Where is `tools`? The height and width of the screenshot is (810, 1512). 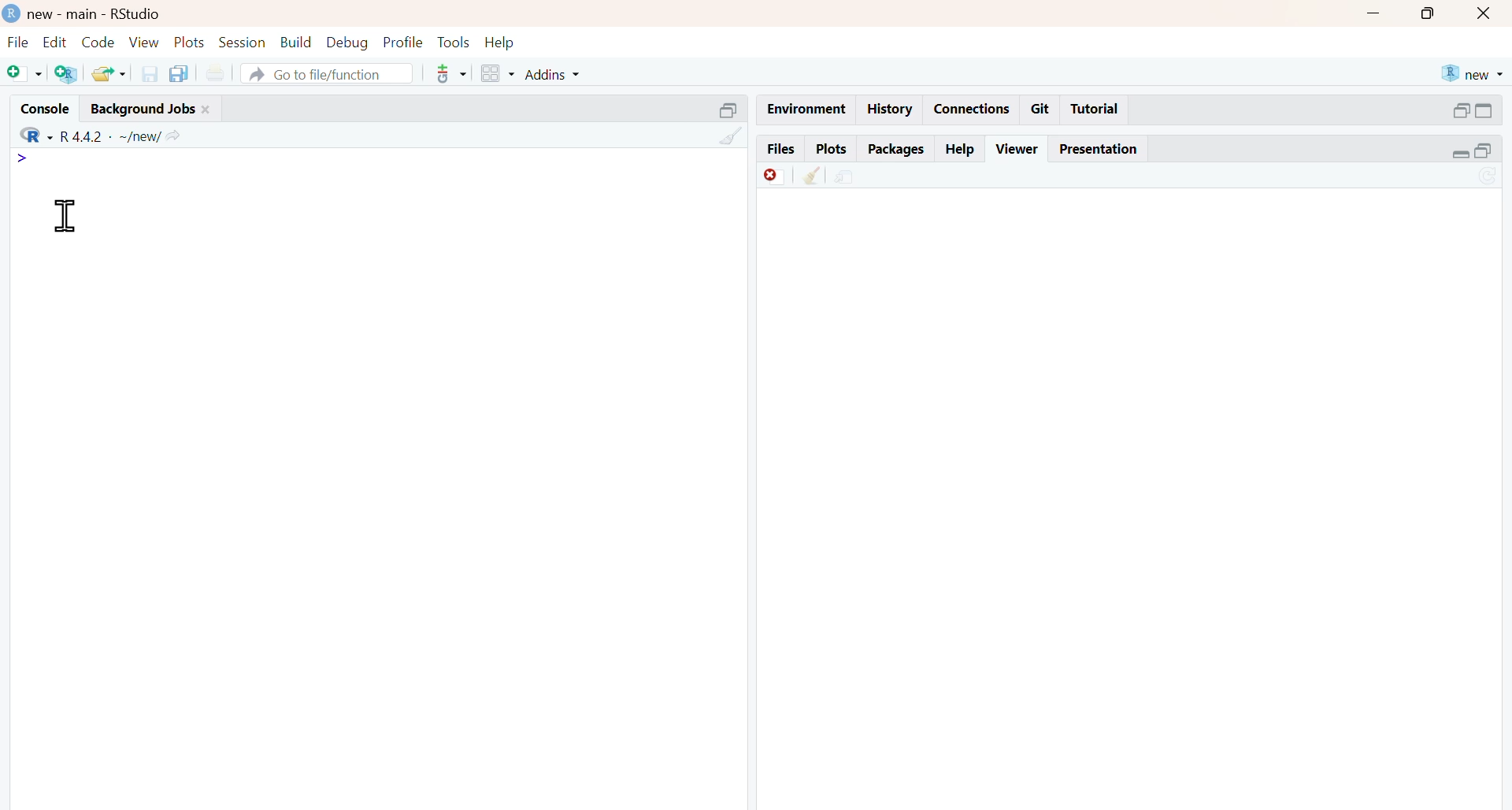
tools is located at coordinates (457, 43).